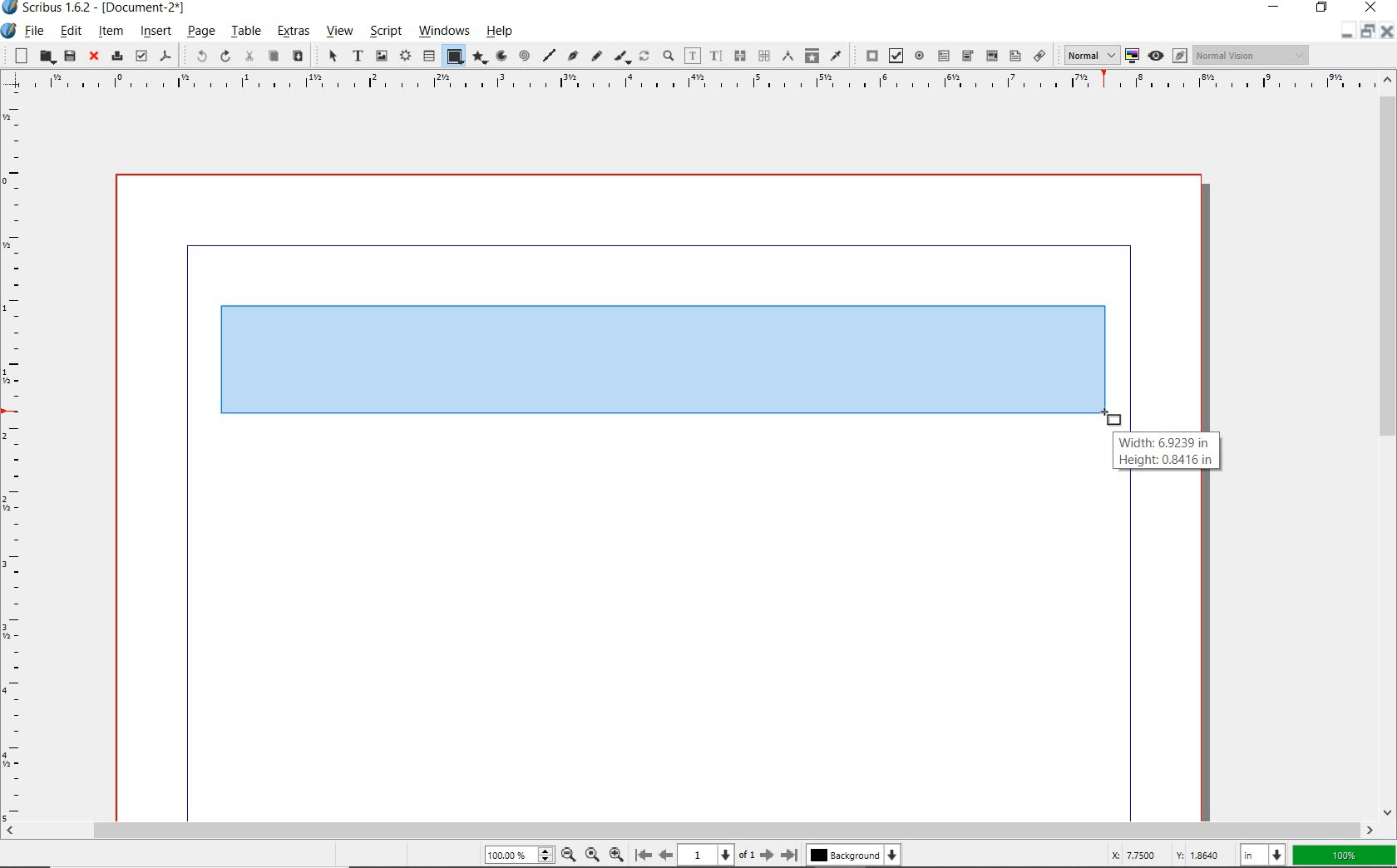 The width and height of the screenshot is (1397, 868). Describe the element at coordinates (1166, 56) in the screenshot. I see `preview mode` at that location.